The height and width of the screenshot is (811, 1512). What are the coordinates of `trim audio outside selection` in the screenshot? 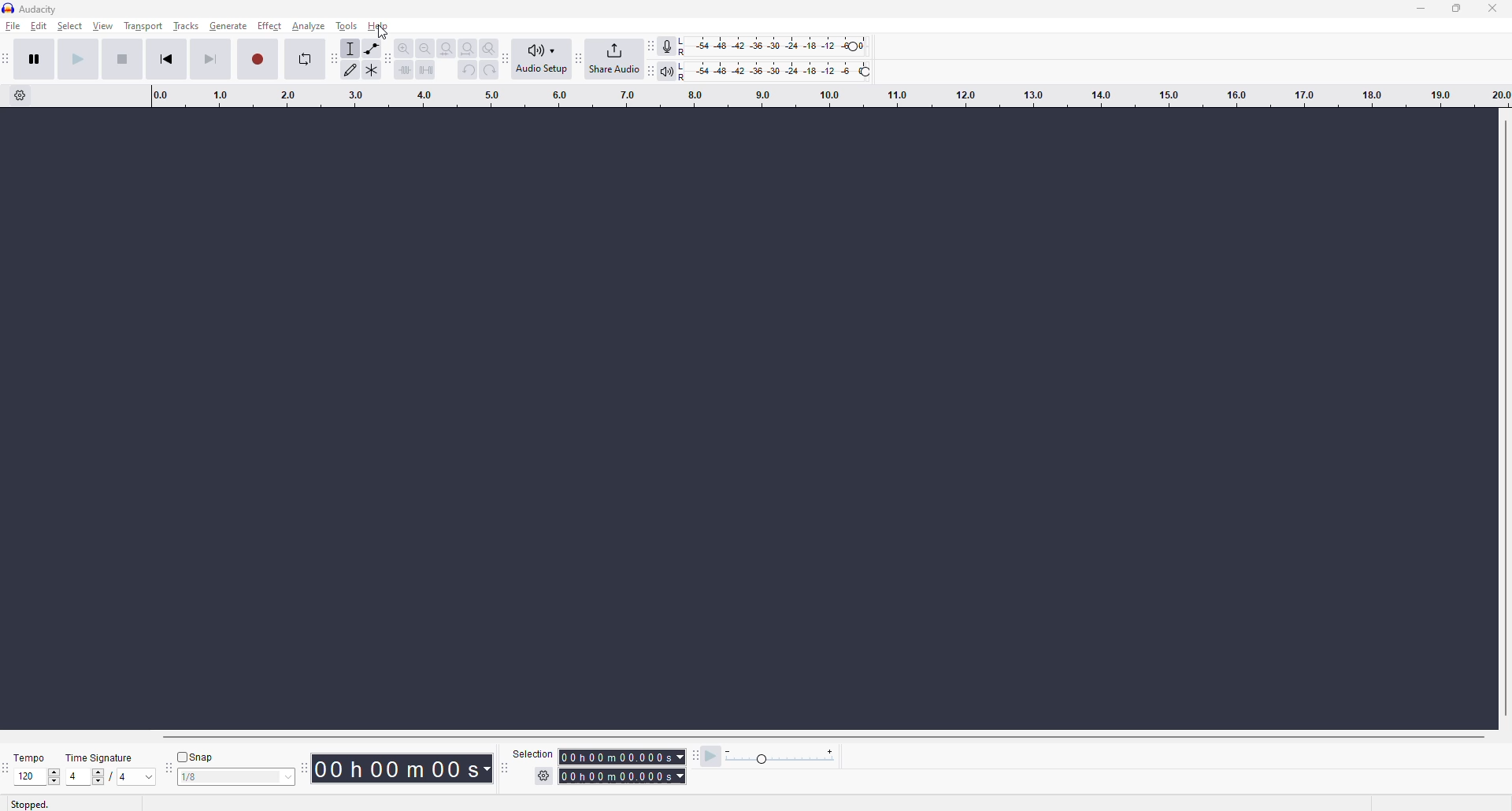 It's located at (401, 69).